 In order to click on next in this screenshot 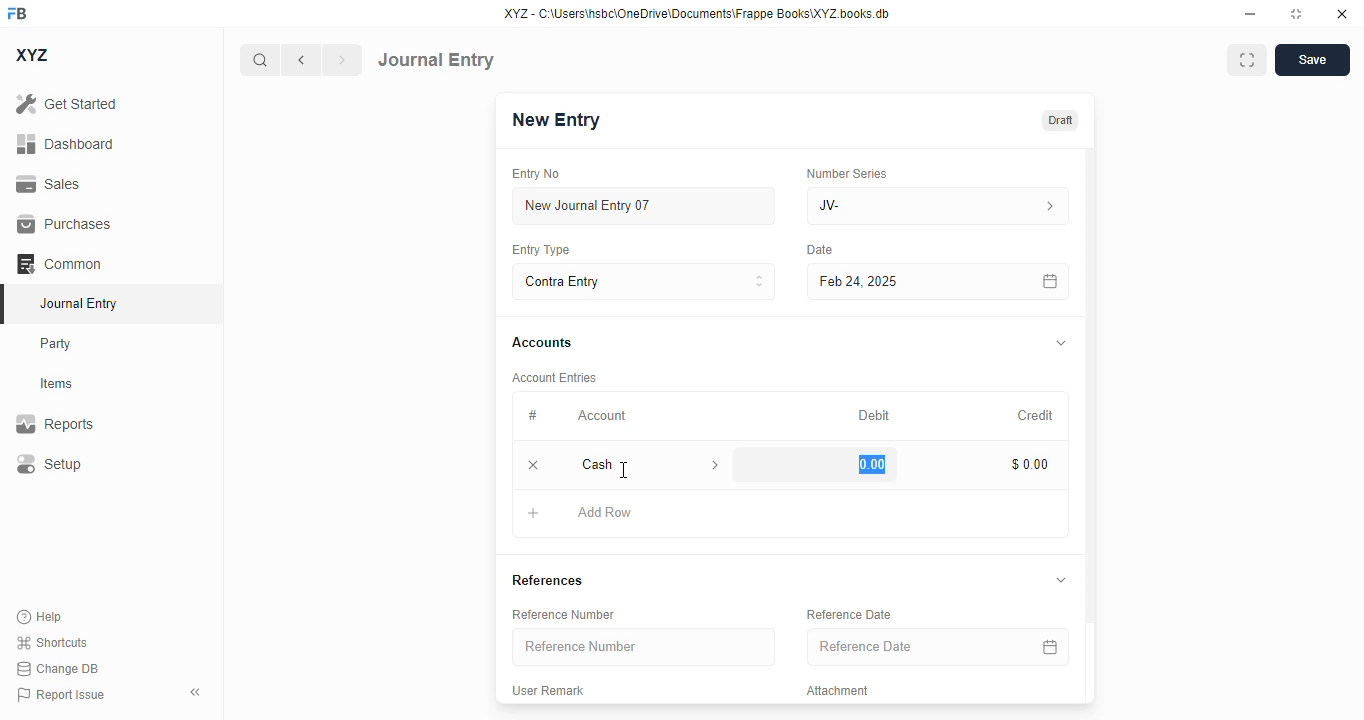, I will do `click(343, 60)`.